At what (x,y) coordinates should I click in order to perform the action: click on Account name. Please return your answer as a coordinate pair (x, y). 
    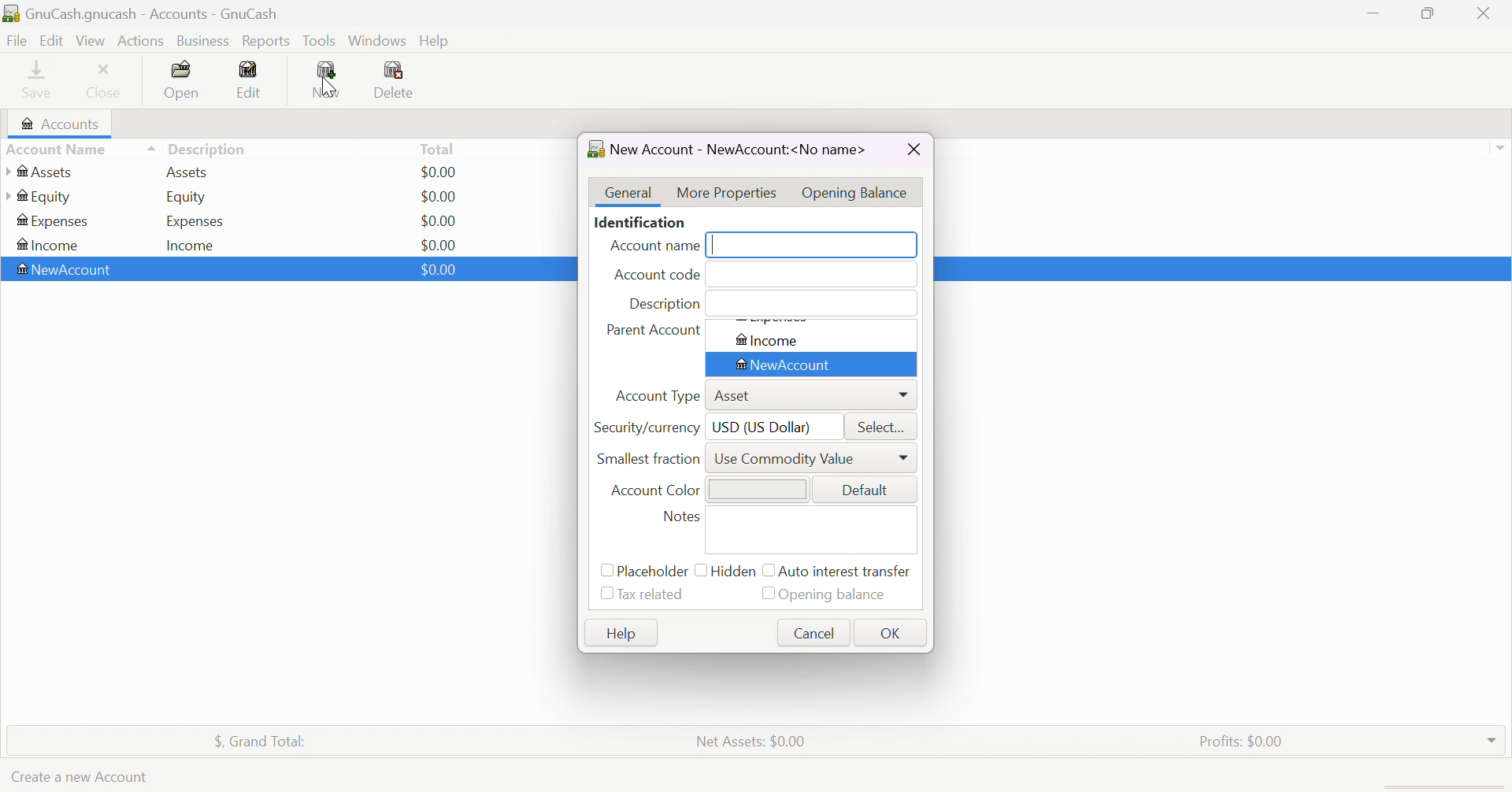
    Looking at the image, I should click on (79, 149).